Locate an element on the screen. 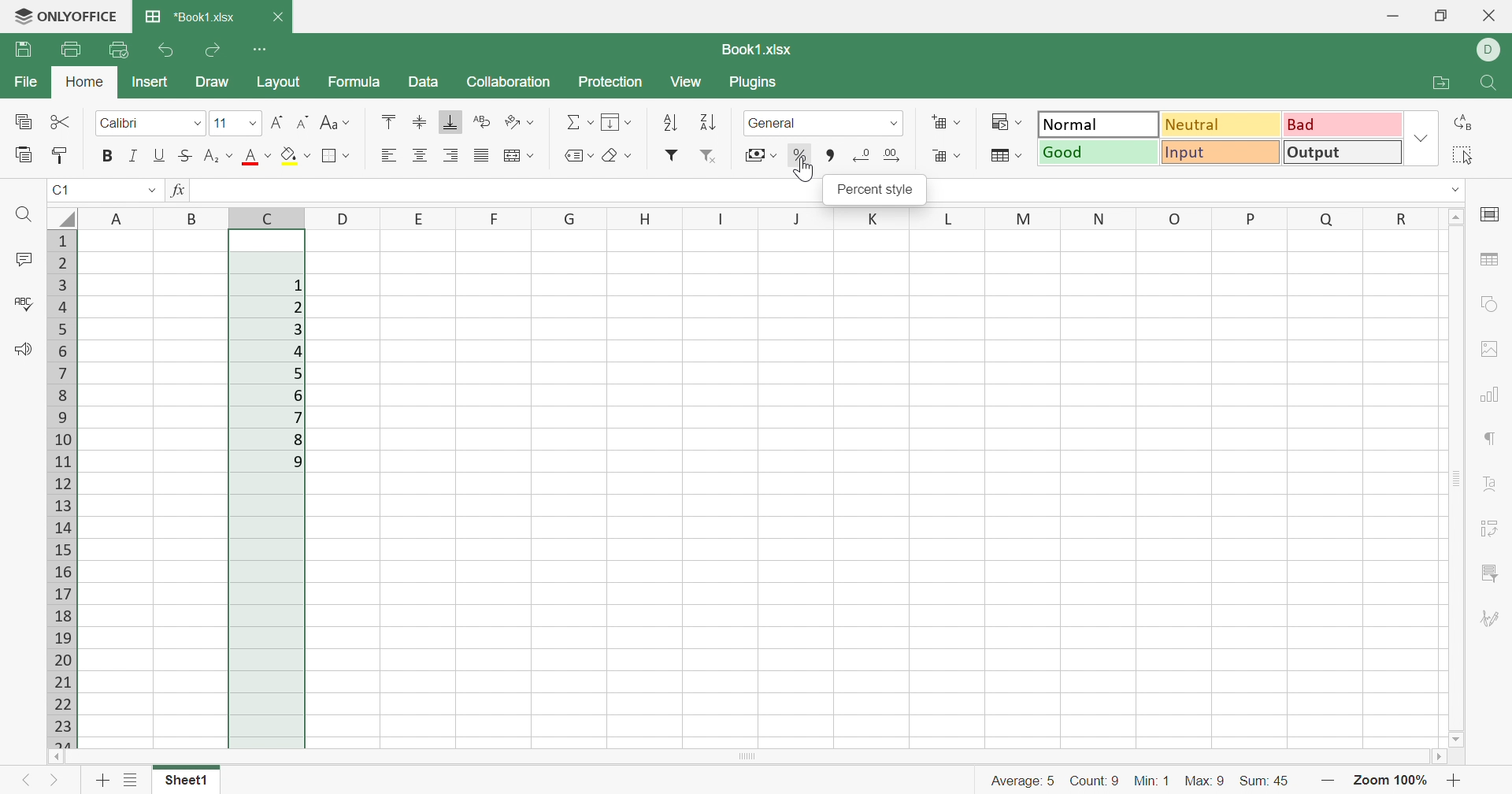 This screenshot has height=794, width=1512. Find is located at coordinates (21, 215).